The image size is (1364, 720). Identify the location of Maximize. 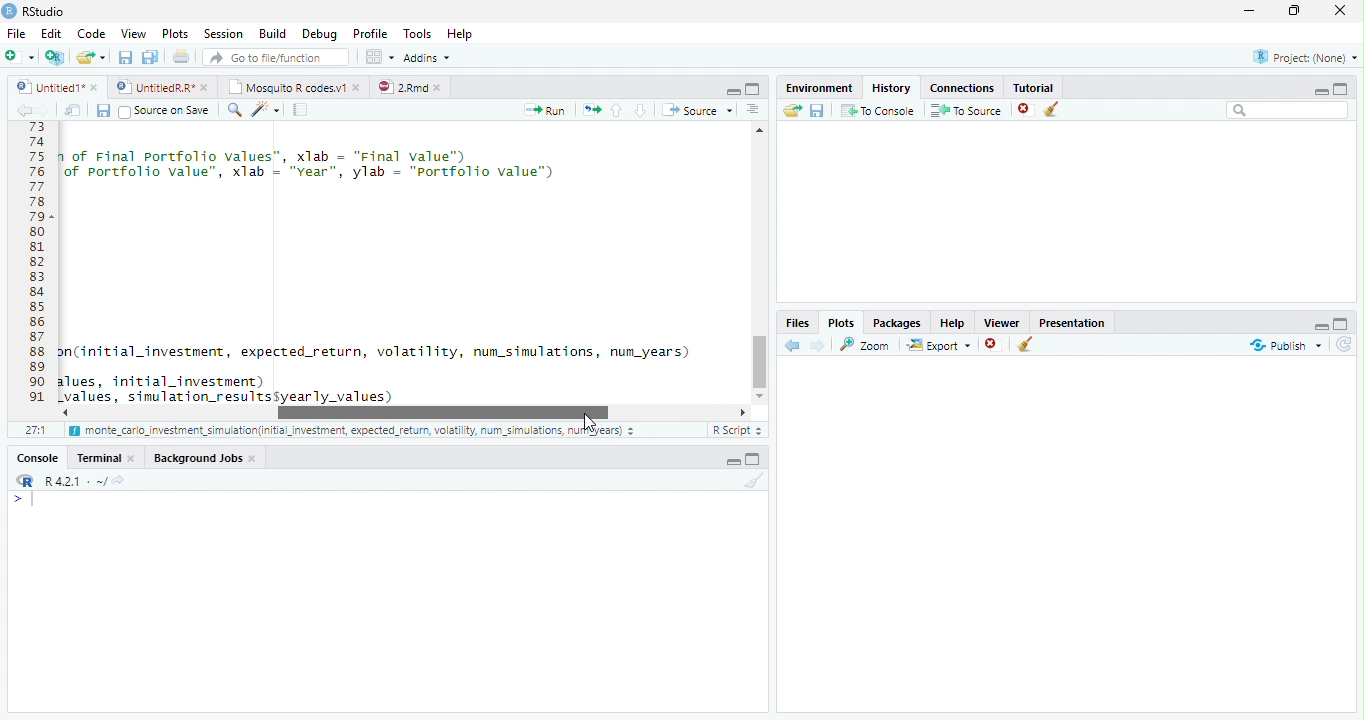
(1299, 12).